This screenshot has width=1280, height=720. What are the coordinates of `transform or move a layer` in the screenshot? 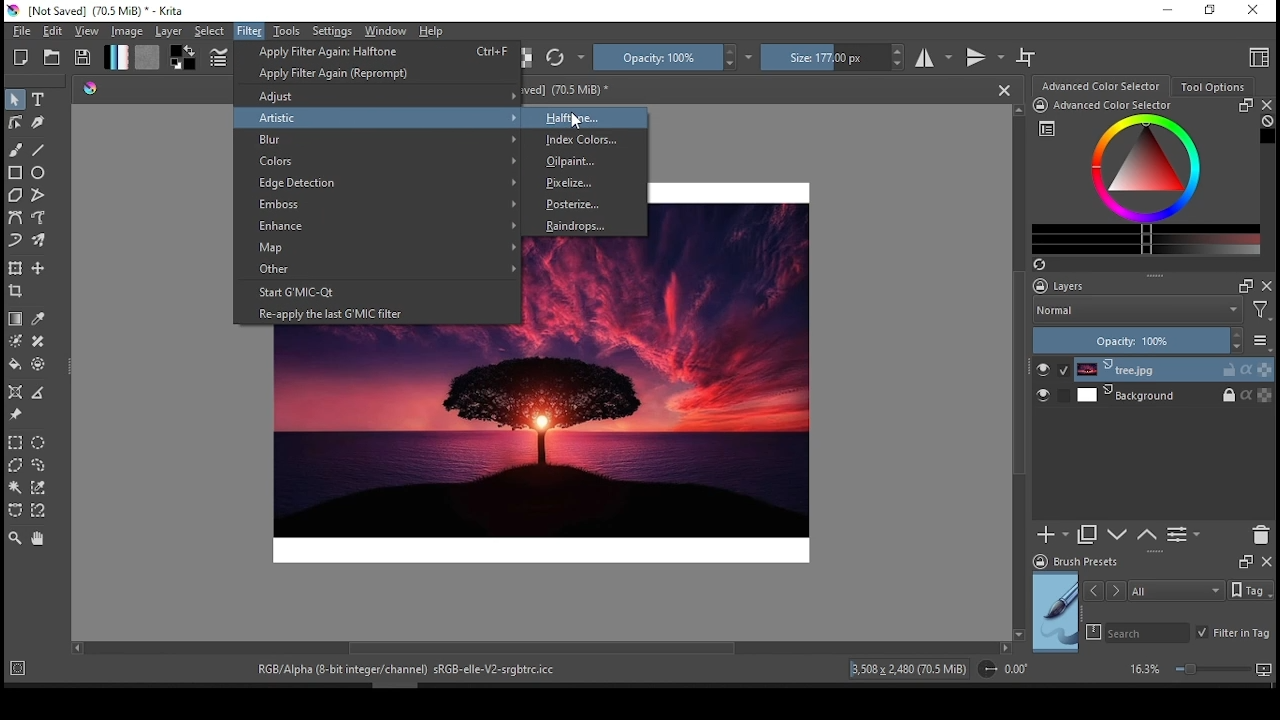 It's located at (15, 268).